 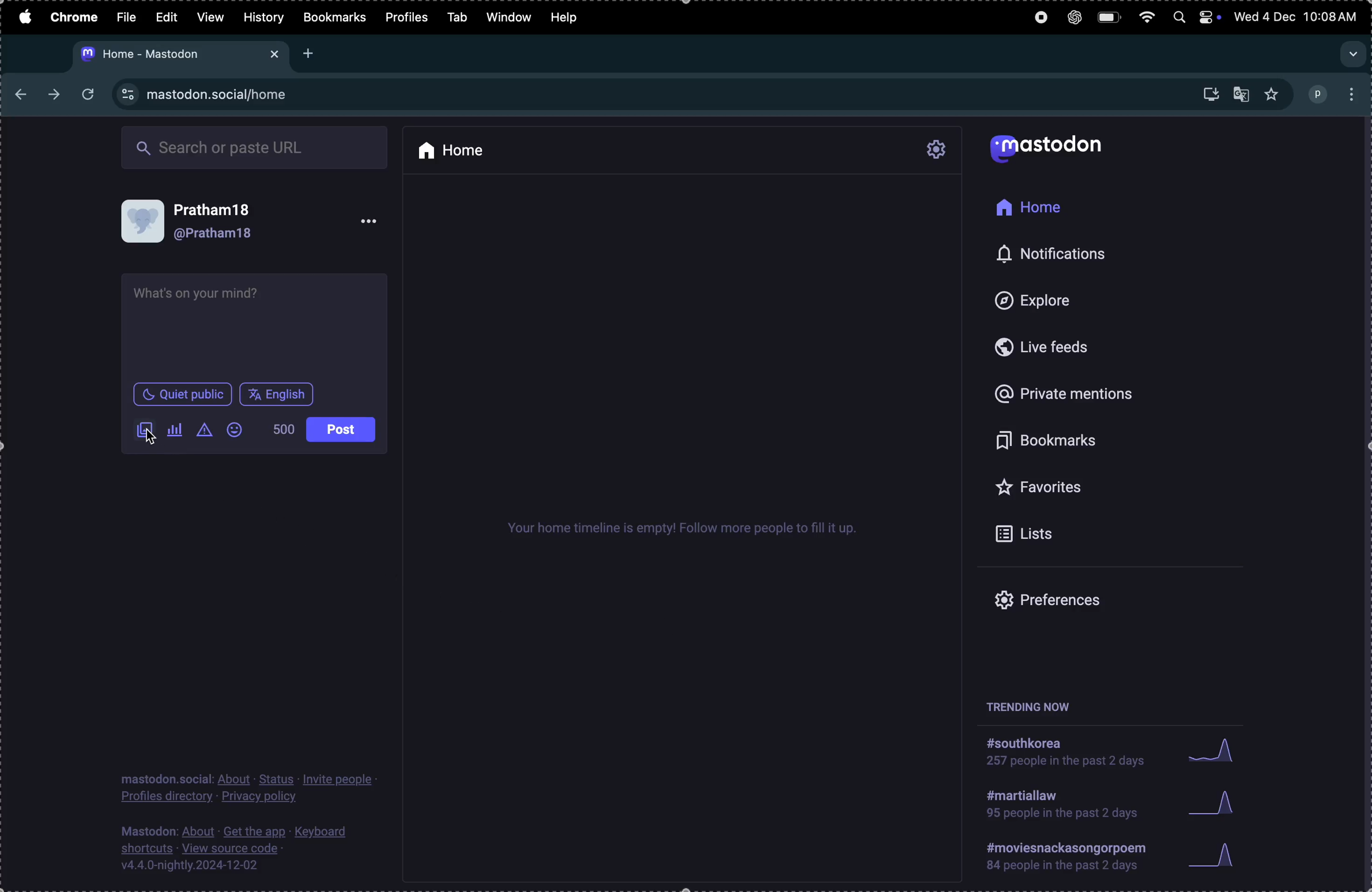 I want to click on Home, so click(x=460, y=147).